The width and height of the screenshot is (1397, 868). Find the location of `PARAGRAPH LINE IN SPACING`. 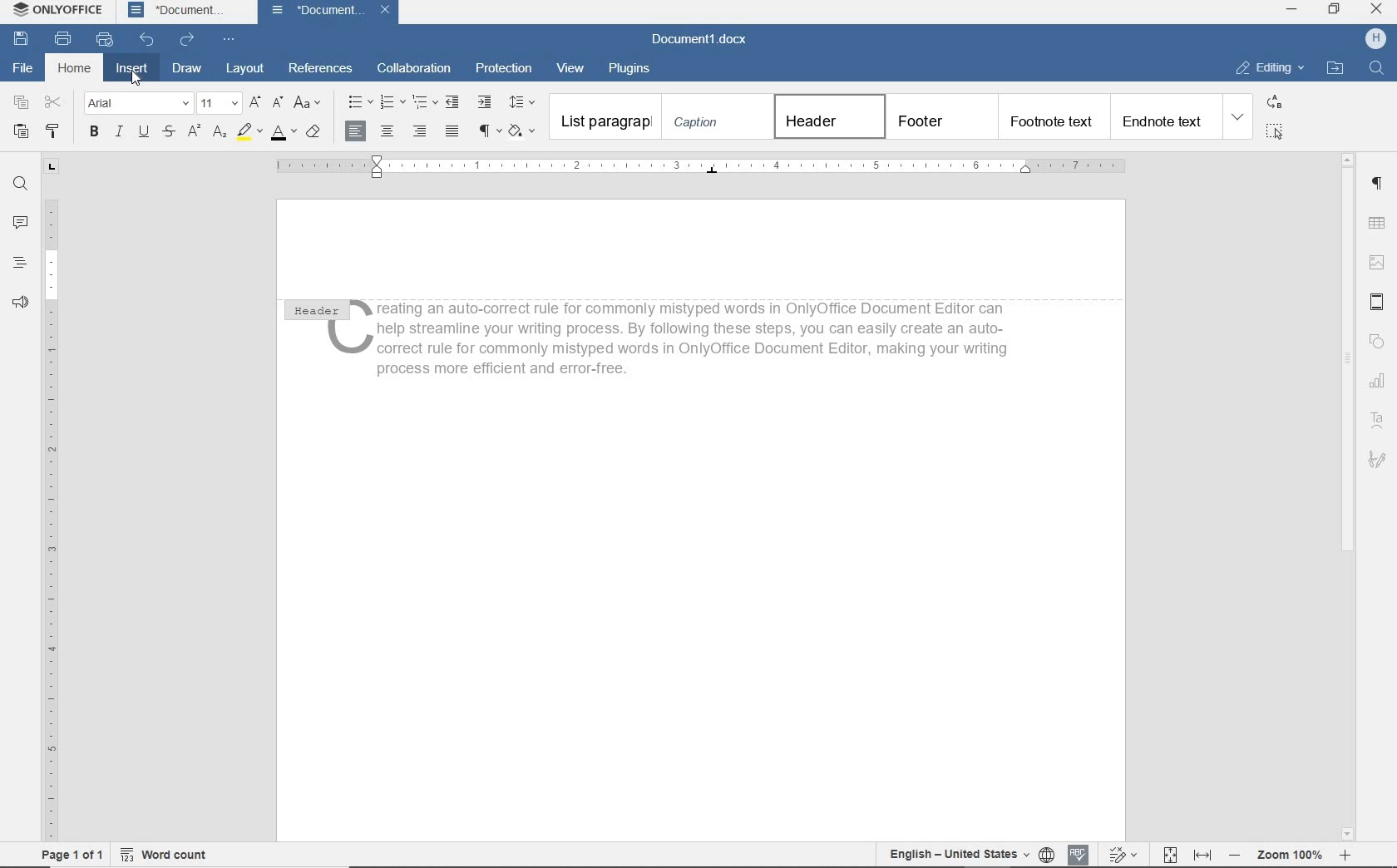

PARAGRAPH LINE IN SPACING is located at coordinates (523, 103).